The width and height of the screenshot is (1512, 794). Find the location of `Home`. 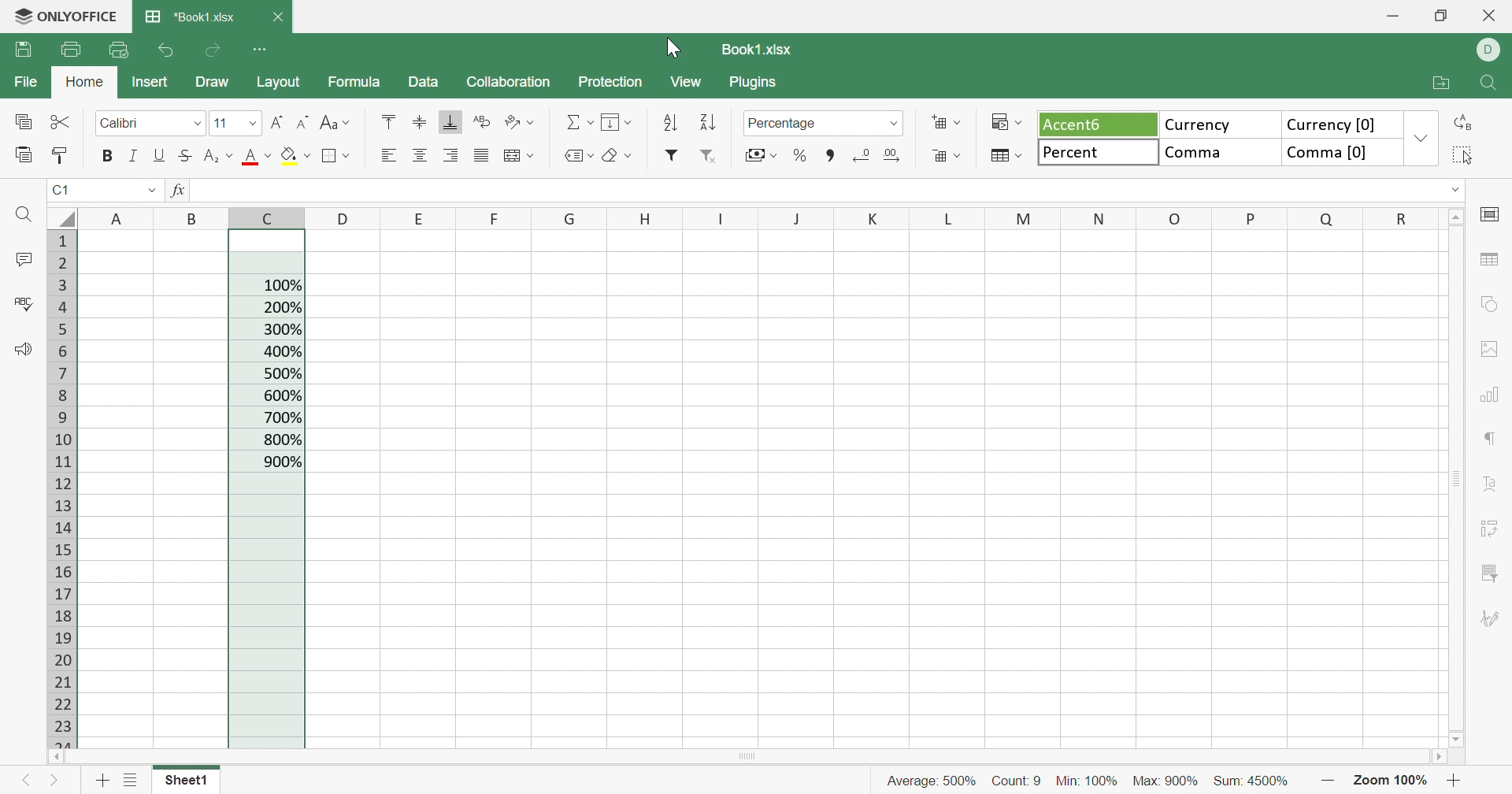

Home is located at coordinates (83, 80).